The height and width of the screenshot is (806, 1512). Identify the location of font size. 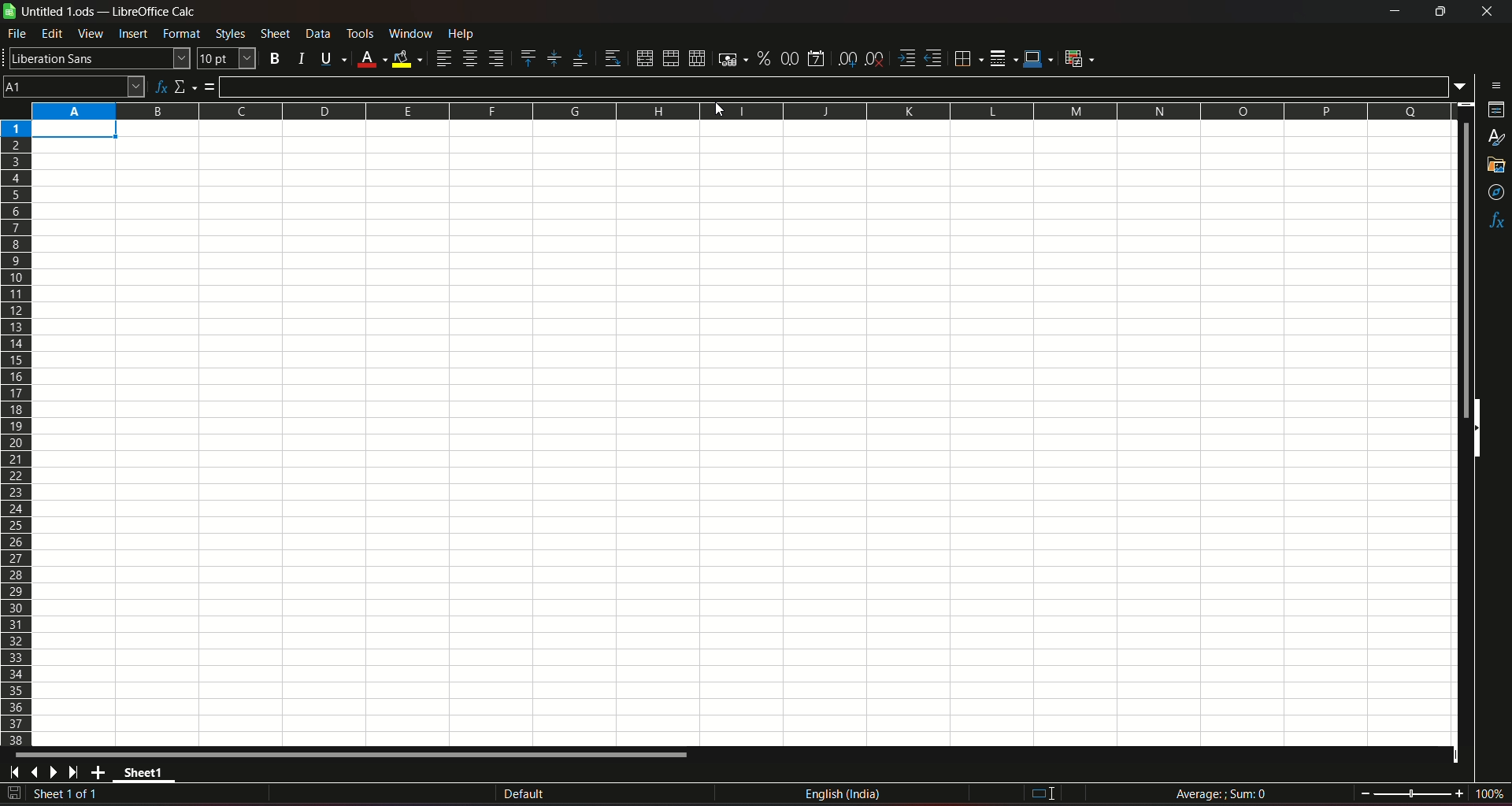
(228, 59).